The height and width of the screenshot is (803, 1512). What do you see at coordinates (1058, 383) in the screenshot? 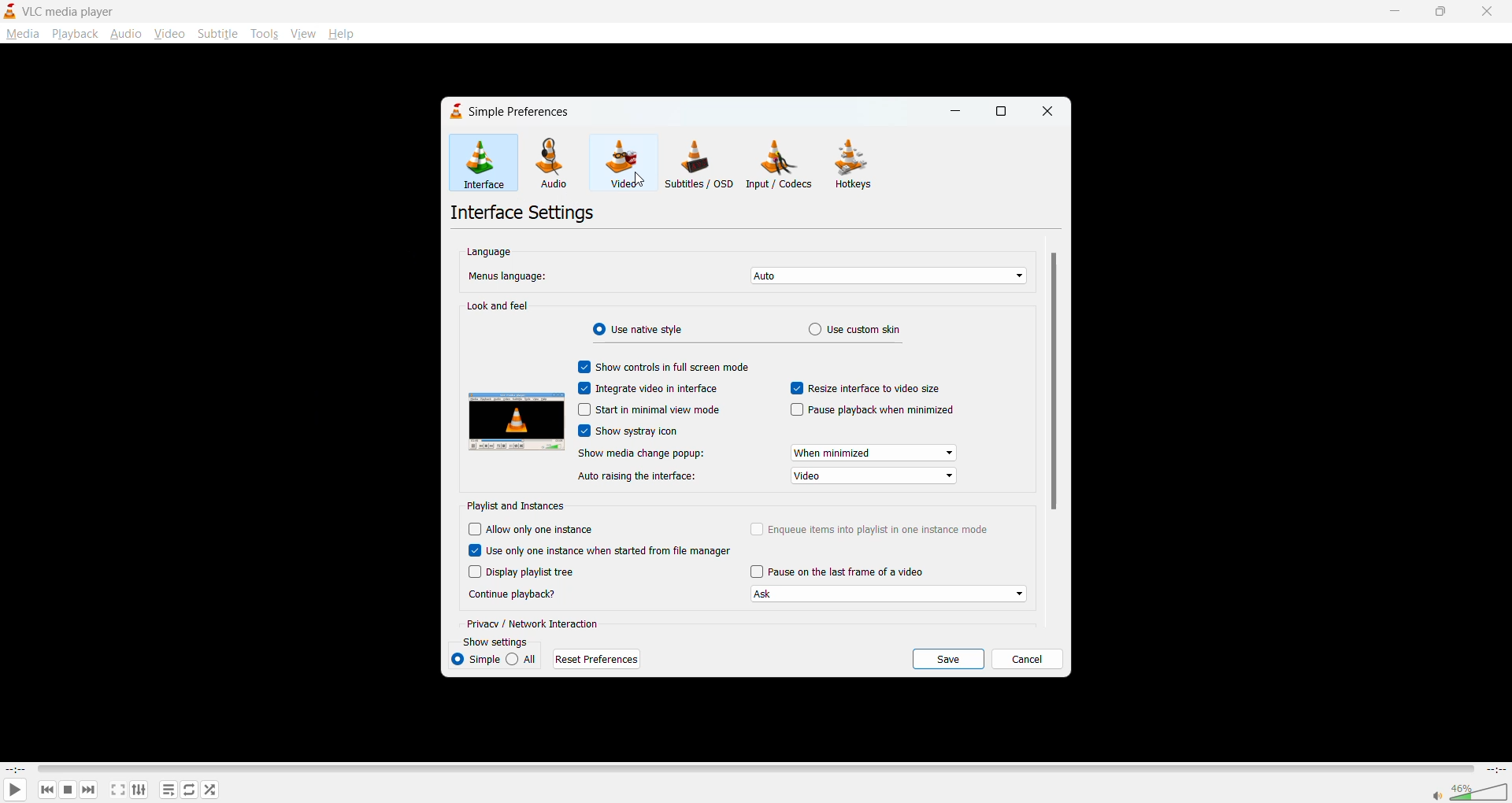
I see `vertical scroll bar` at bounding box center [1058, 383].